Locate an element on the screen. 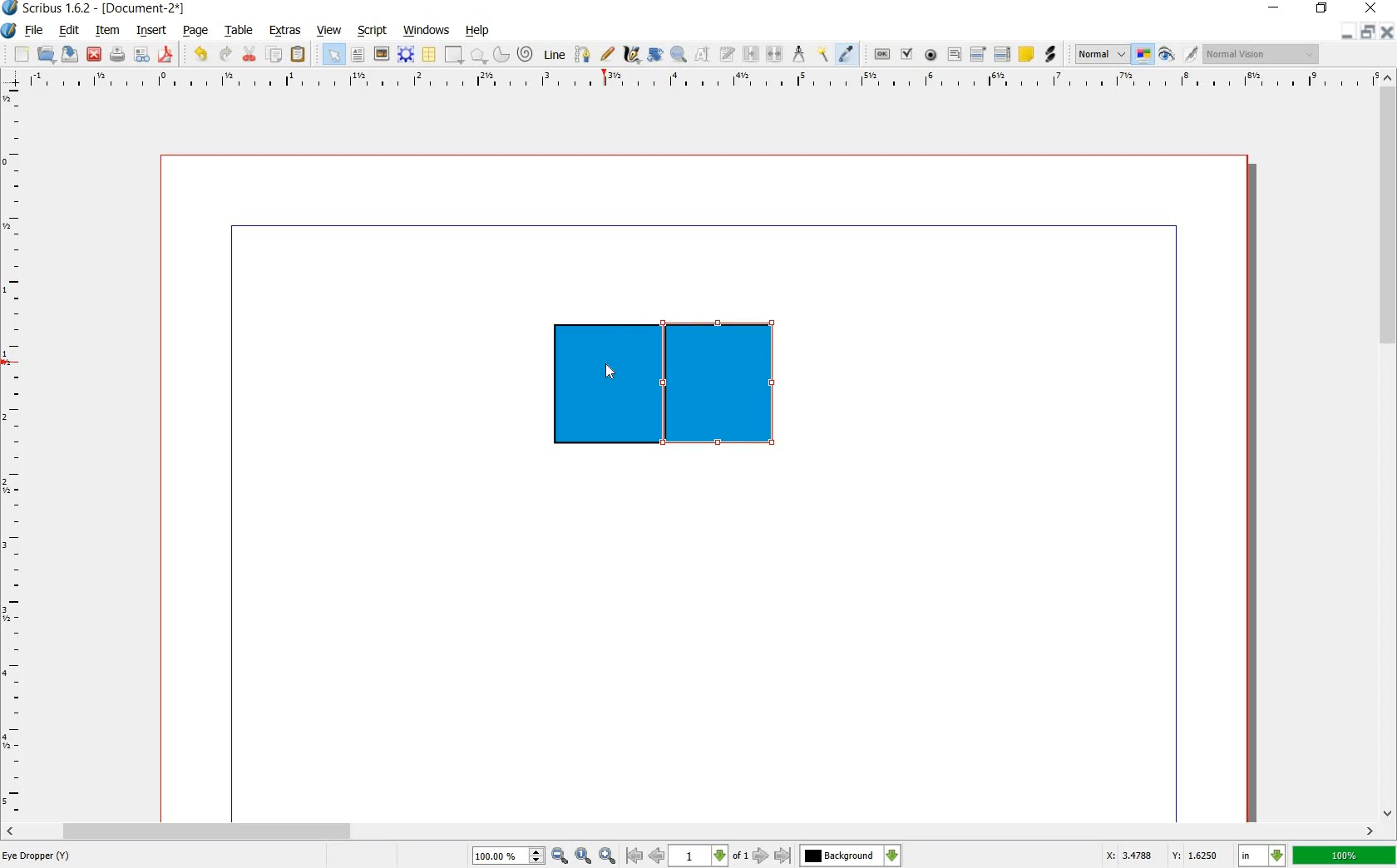 The width and height of the screenshot is (1397, 868). close is located at coordinates (1372, 7).